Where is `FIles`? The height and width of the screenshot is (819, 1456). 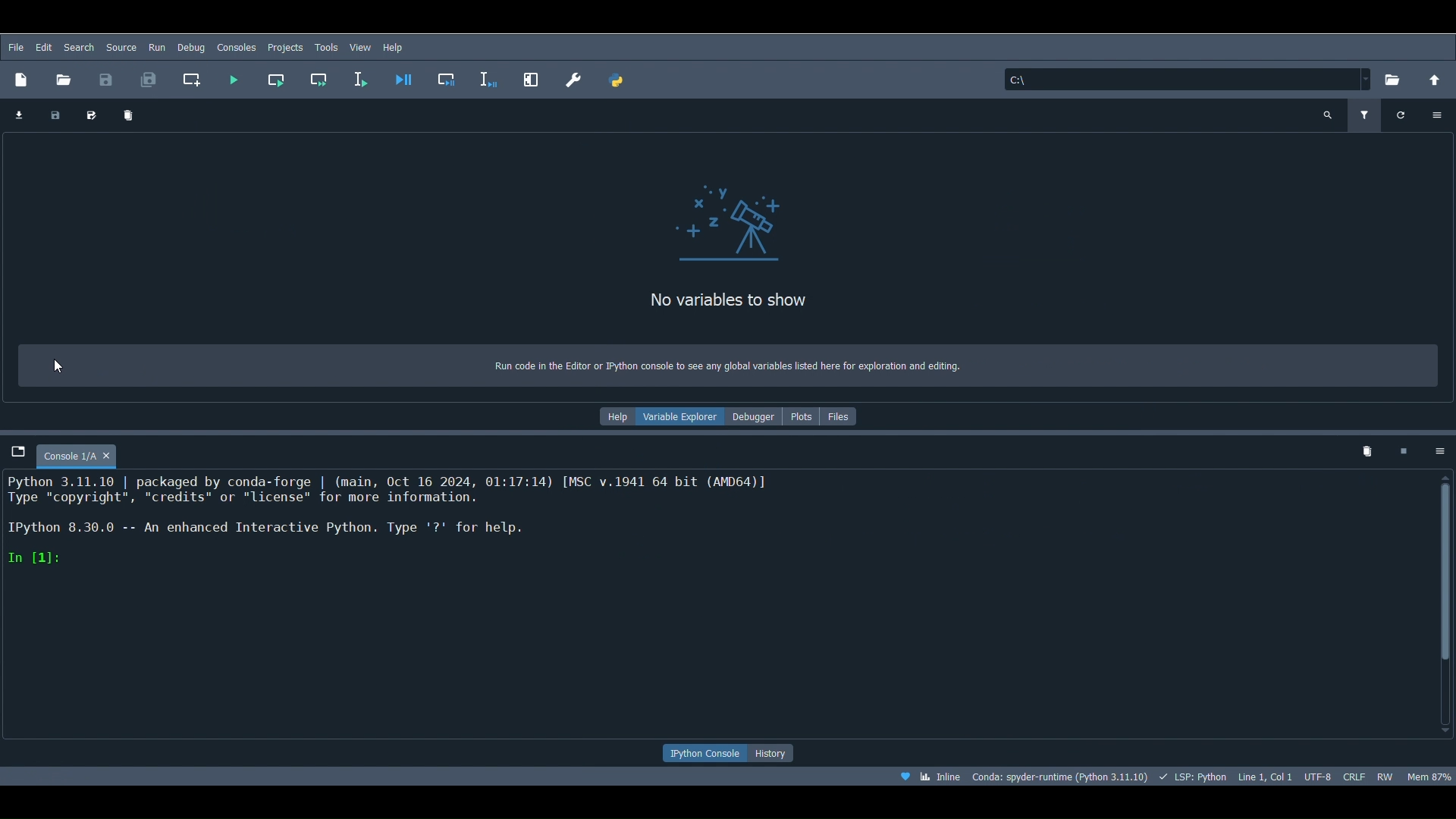 FIles is located at coordinates (842, 414).